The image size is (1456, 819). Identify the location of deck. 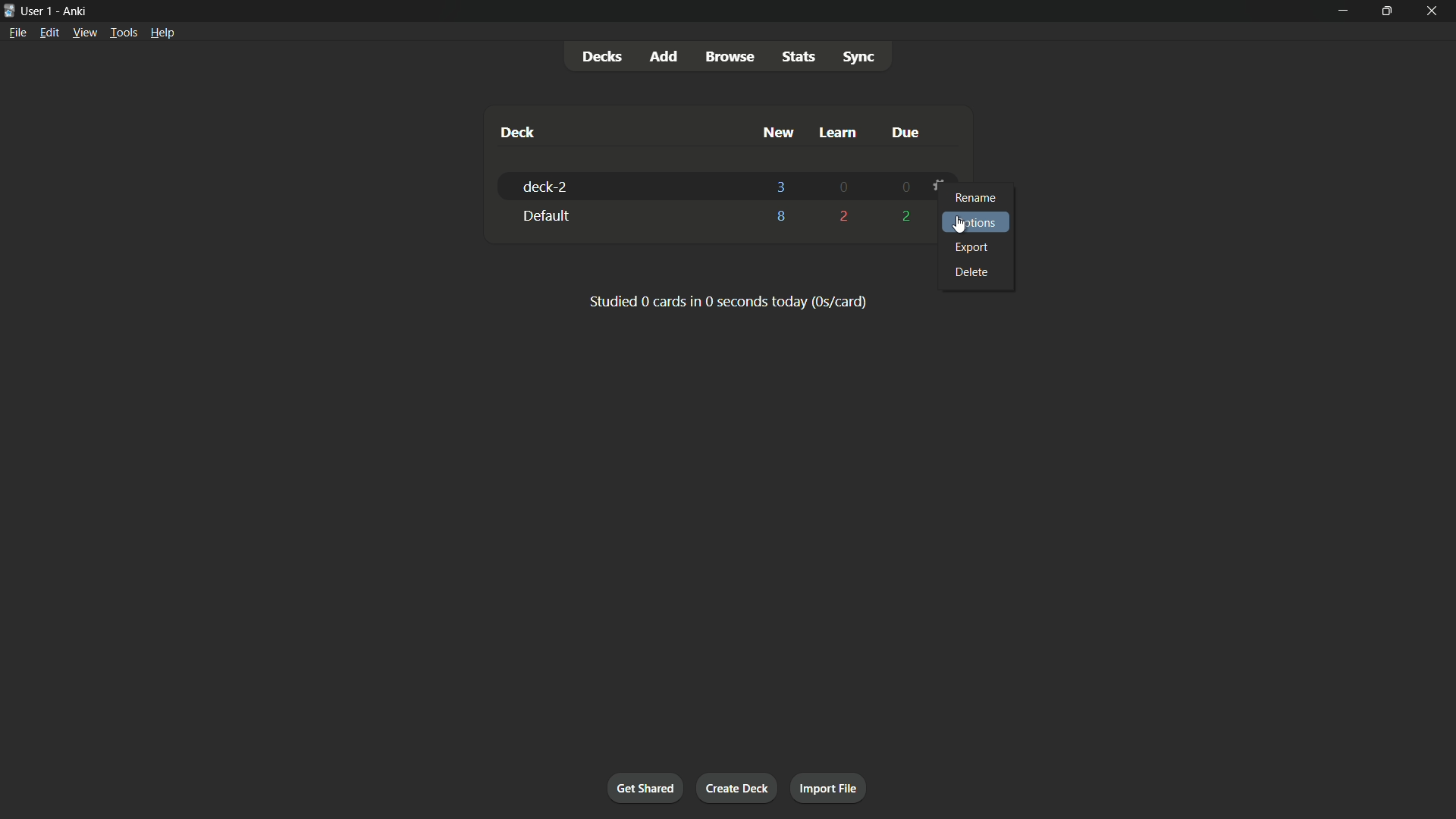
(518, 133).